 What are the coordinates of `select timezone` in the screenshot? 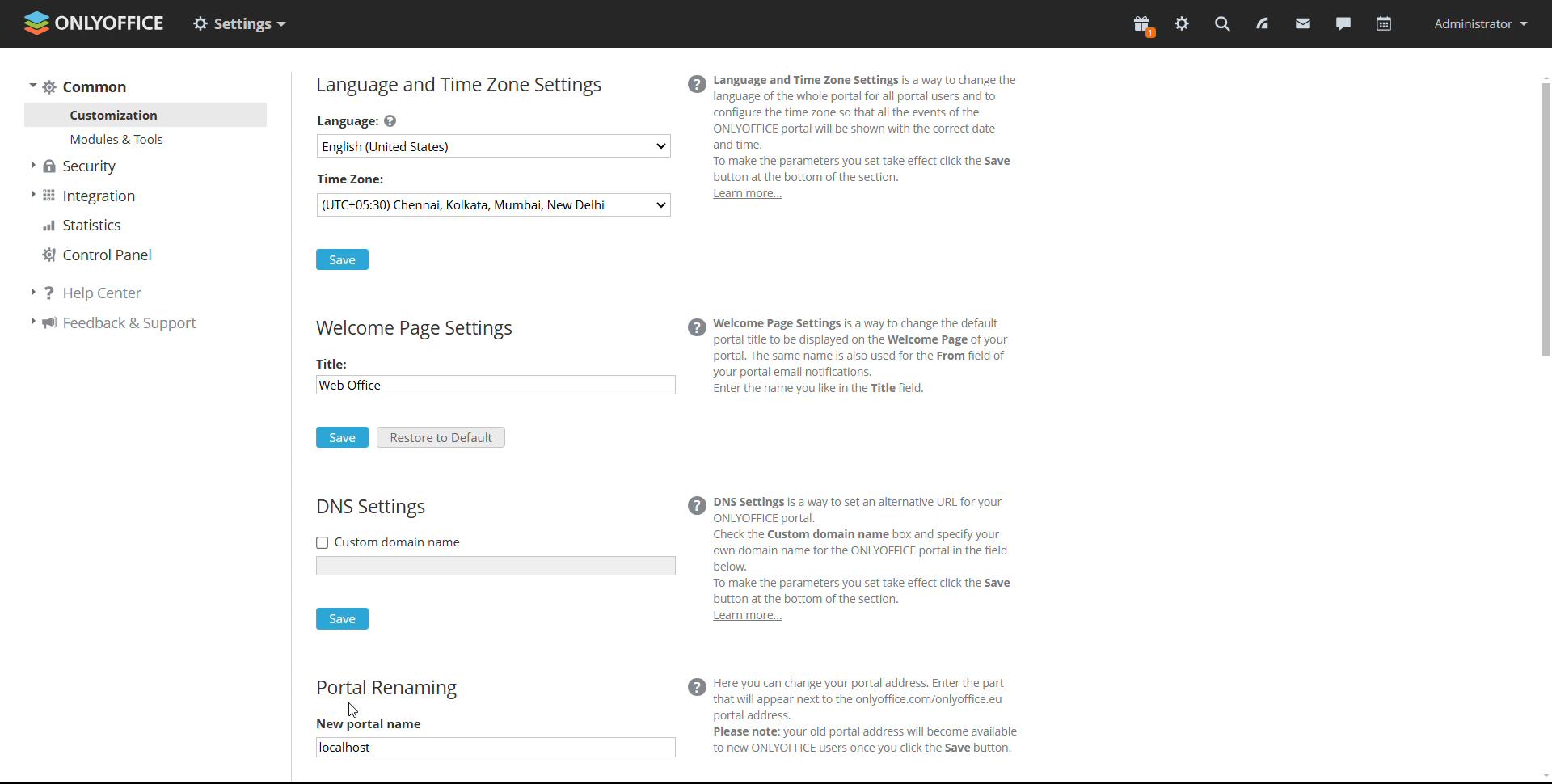 It's located at (493, 204).